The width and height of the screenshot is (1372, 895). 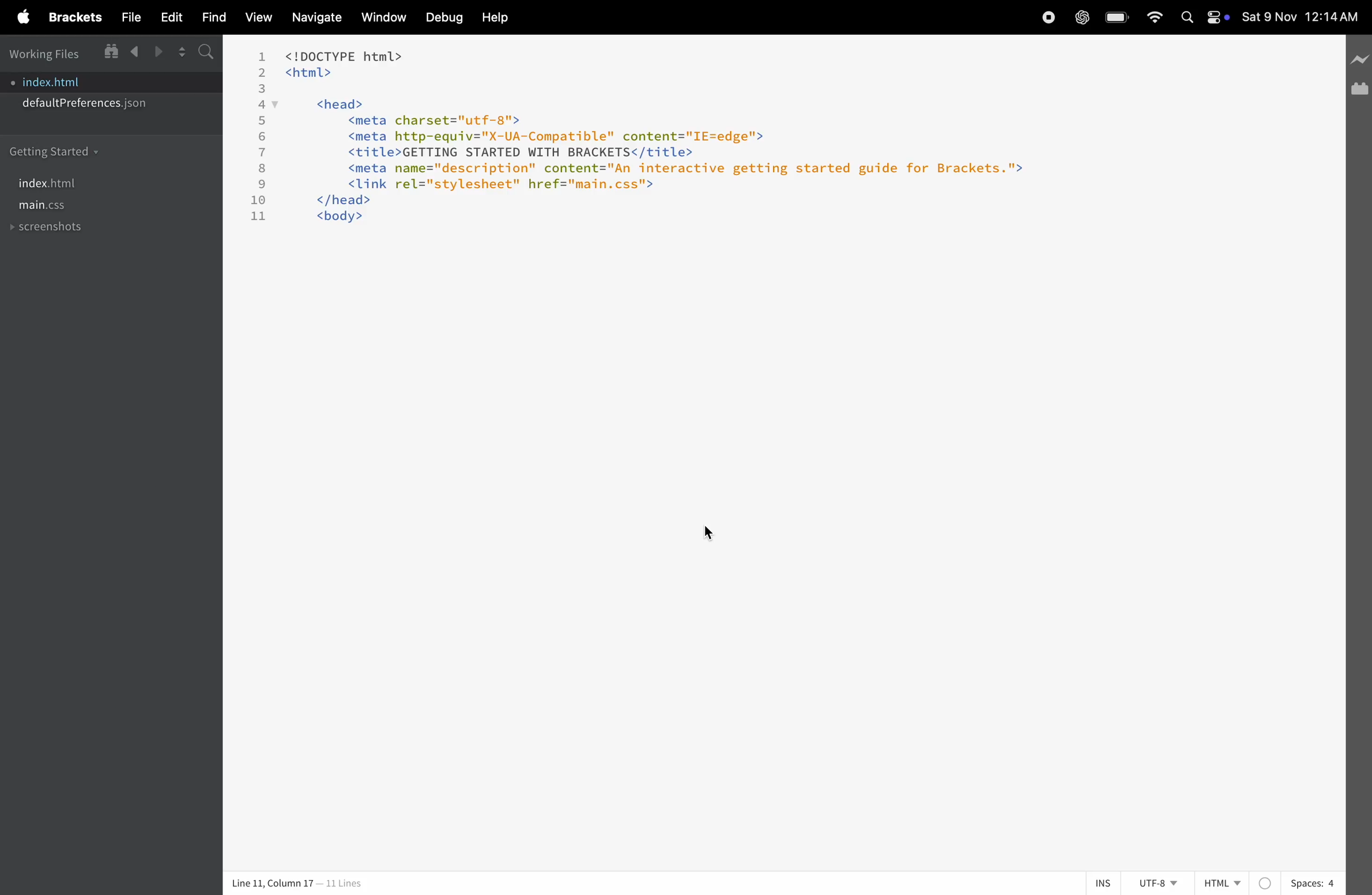 What do you see at coordinates (1153, 18) in the screenshot?
I see `wifi` at bounding box center [1153, 18].